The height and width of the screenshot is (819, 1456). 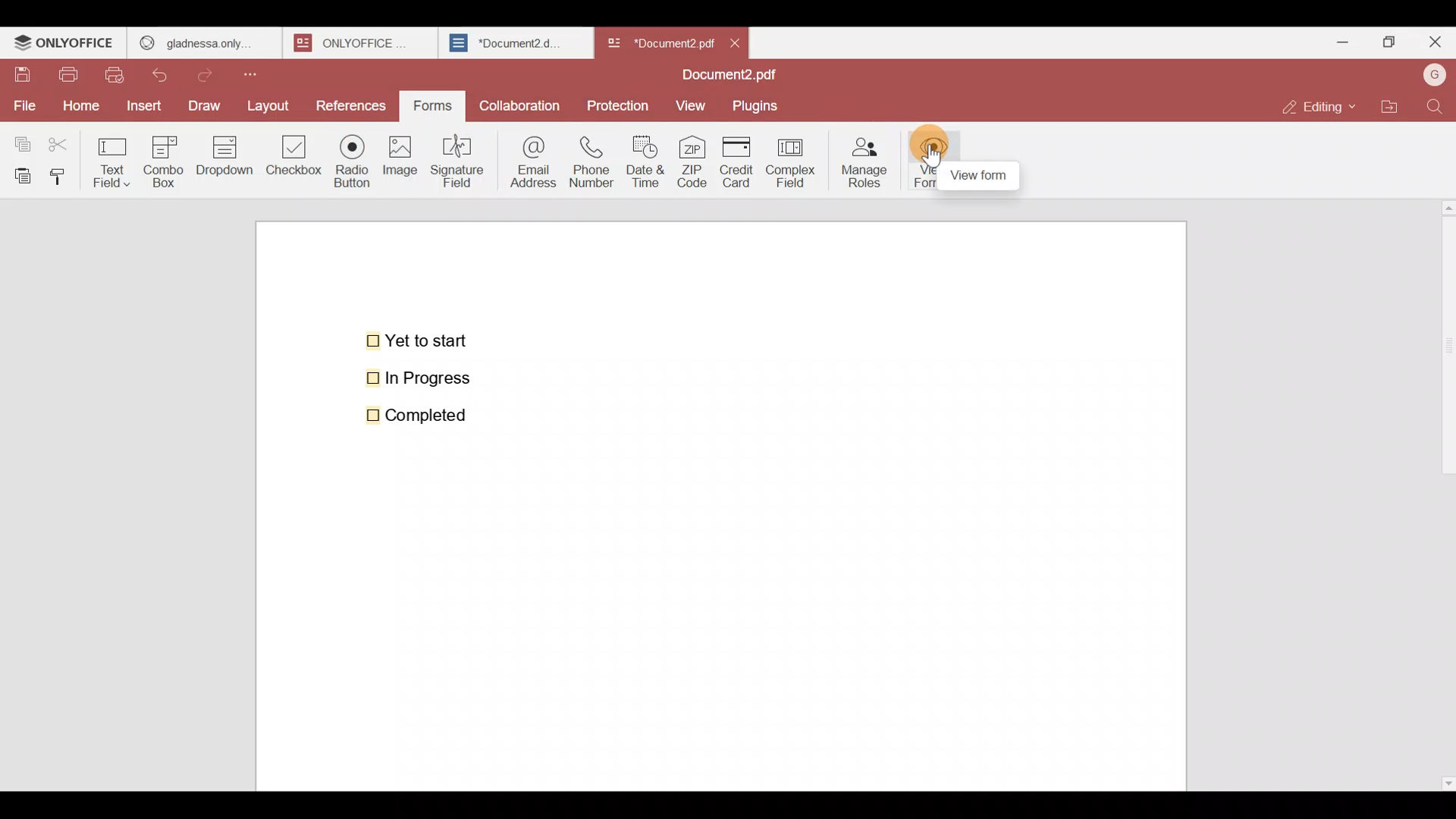 What do you see at coordinates (933, 149) in the screenshot?
I see `Cursor` at bounding box center [933, 149].